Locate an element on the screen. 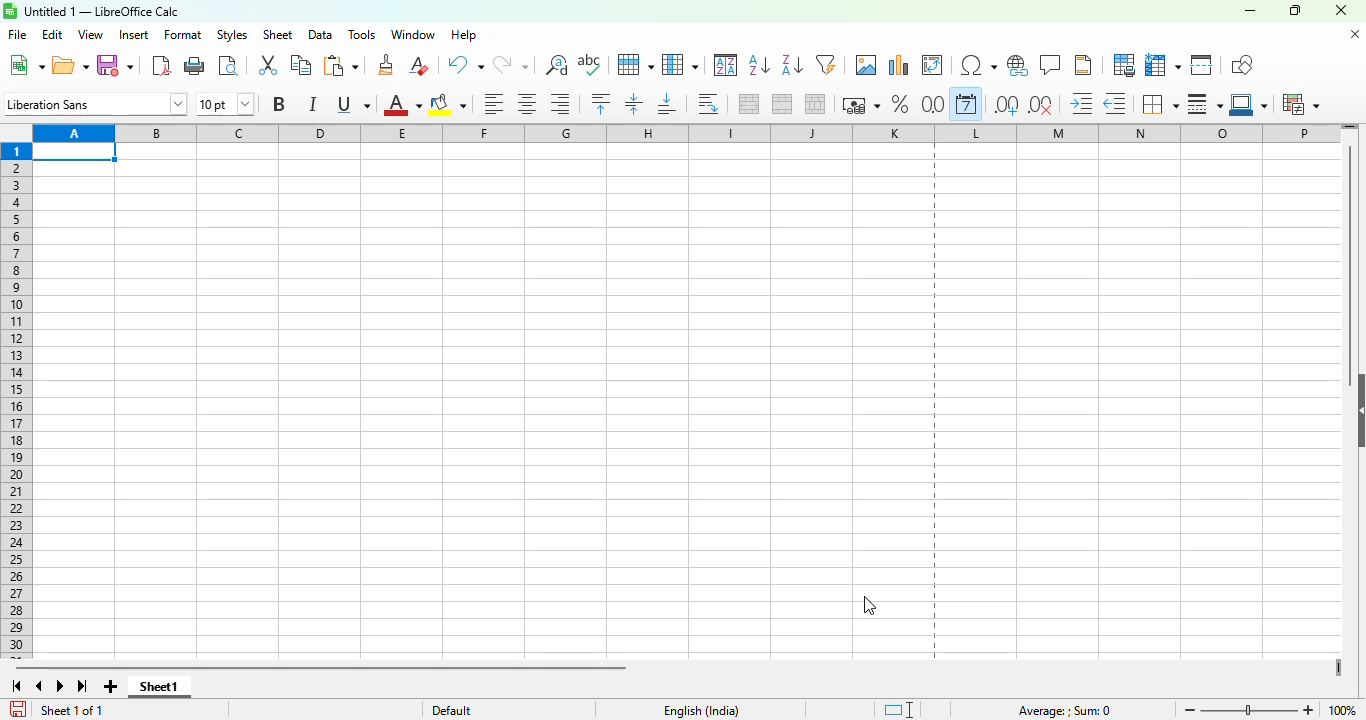 Image resolution: width=1366 pixels, height=720 pixels. sheet1 is located at coordinates (161, 687).